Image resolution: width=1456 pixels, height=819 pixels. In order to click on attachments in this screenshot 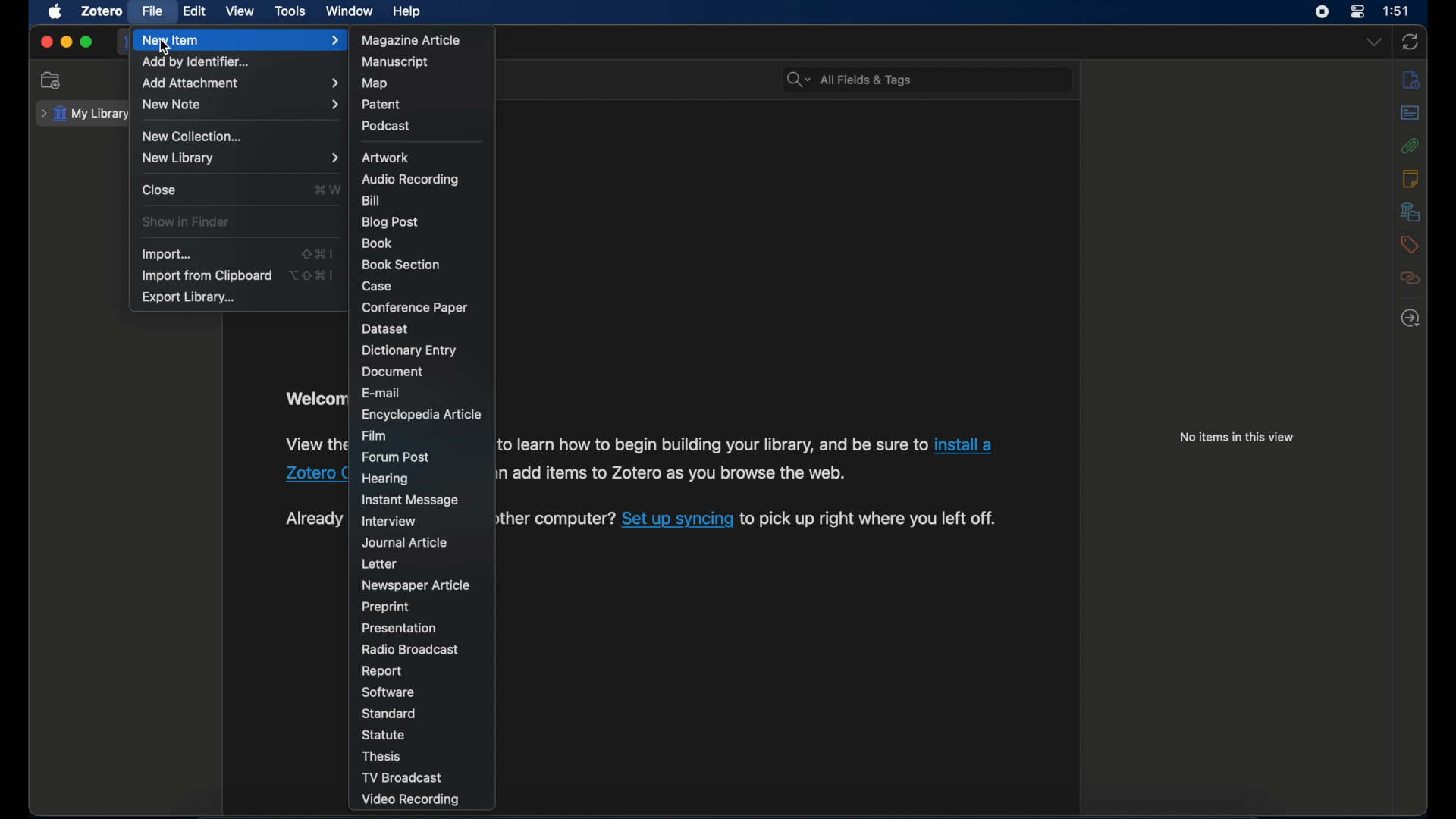, I will do `click(1411, 146)`.